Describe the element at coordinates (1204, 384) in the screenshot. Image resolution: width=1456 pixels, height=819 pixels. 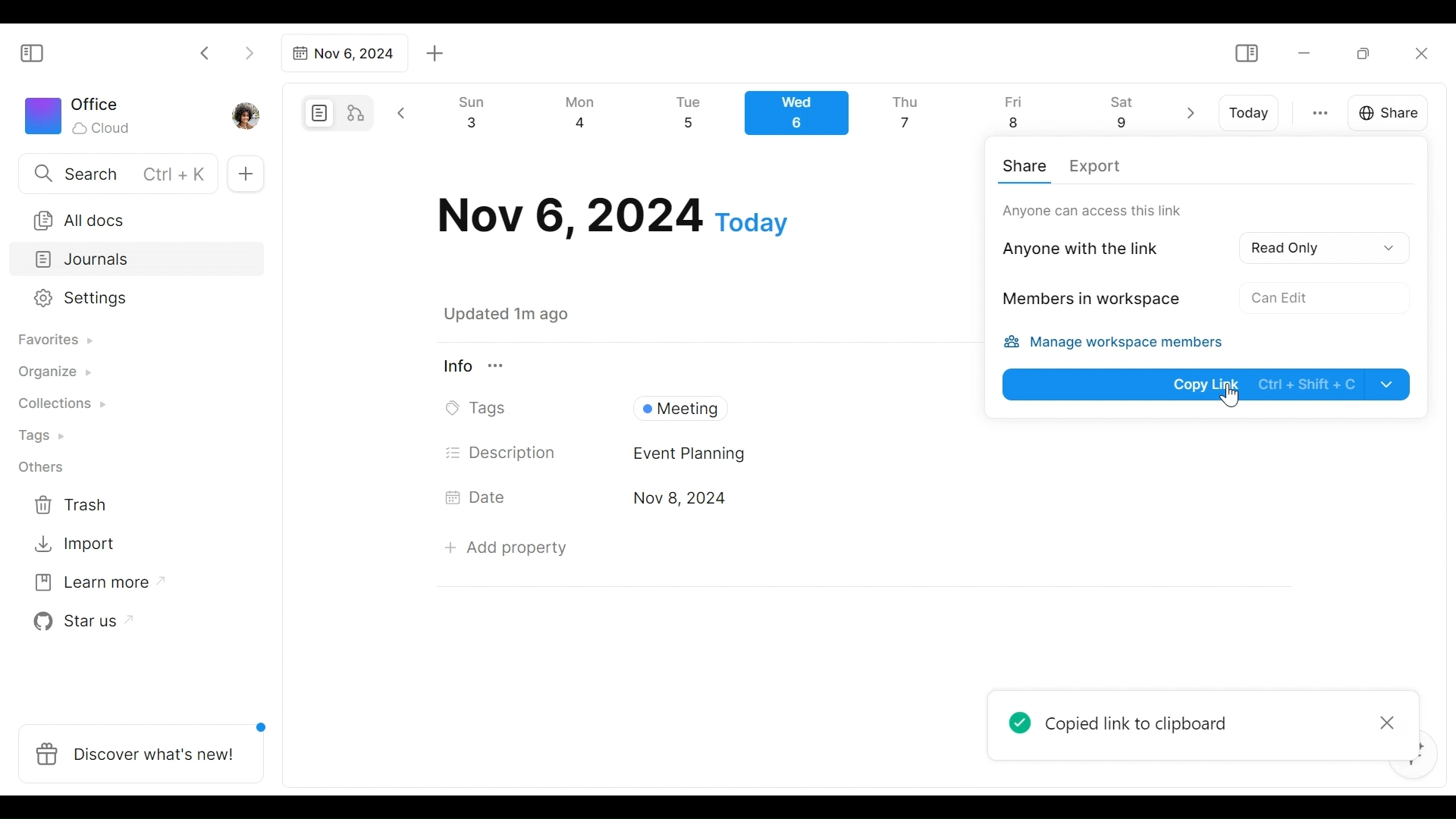
I see `Copy Link` at that location.